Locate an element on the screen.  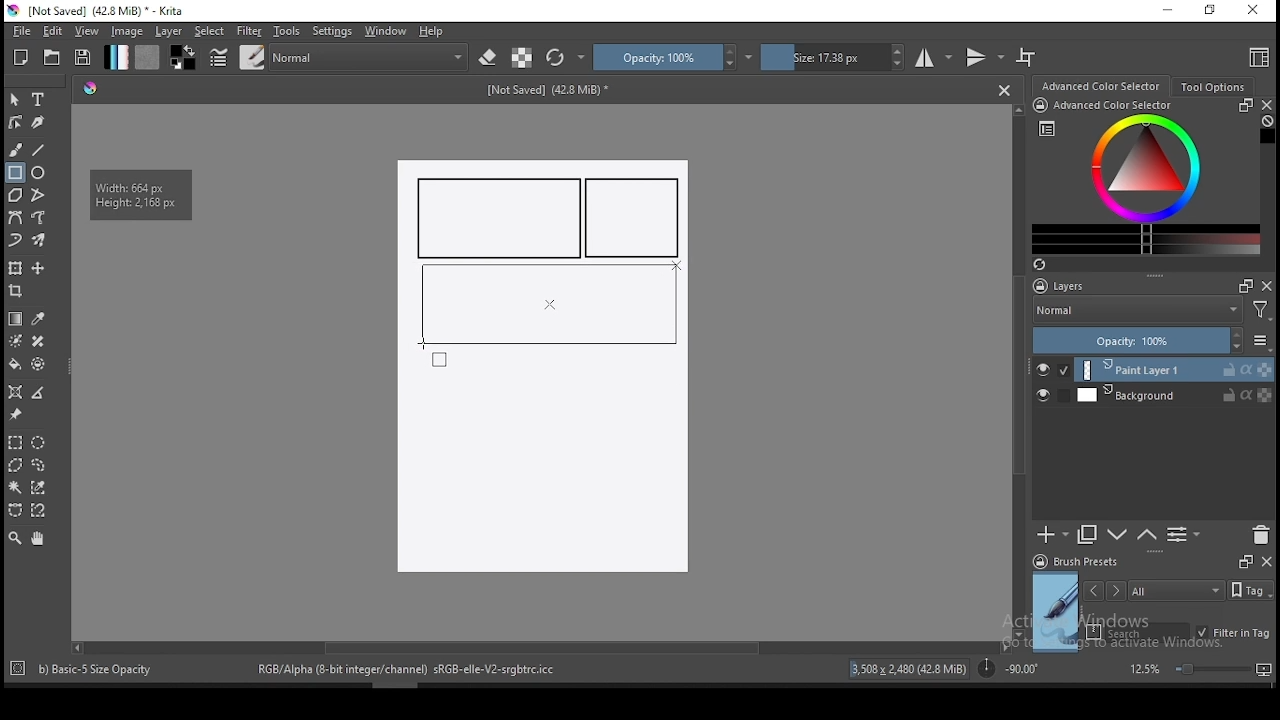
blending mode is located at coordinates (370, 57).